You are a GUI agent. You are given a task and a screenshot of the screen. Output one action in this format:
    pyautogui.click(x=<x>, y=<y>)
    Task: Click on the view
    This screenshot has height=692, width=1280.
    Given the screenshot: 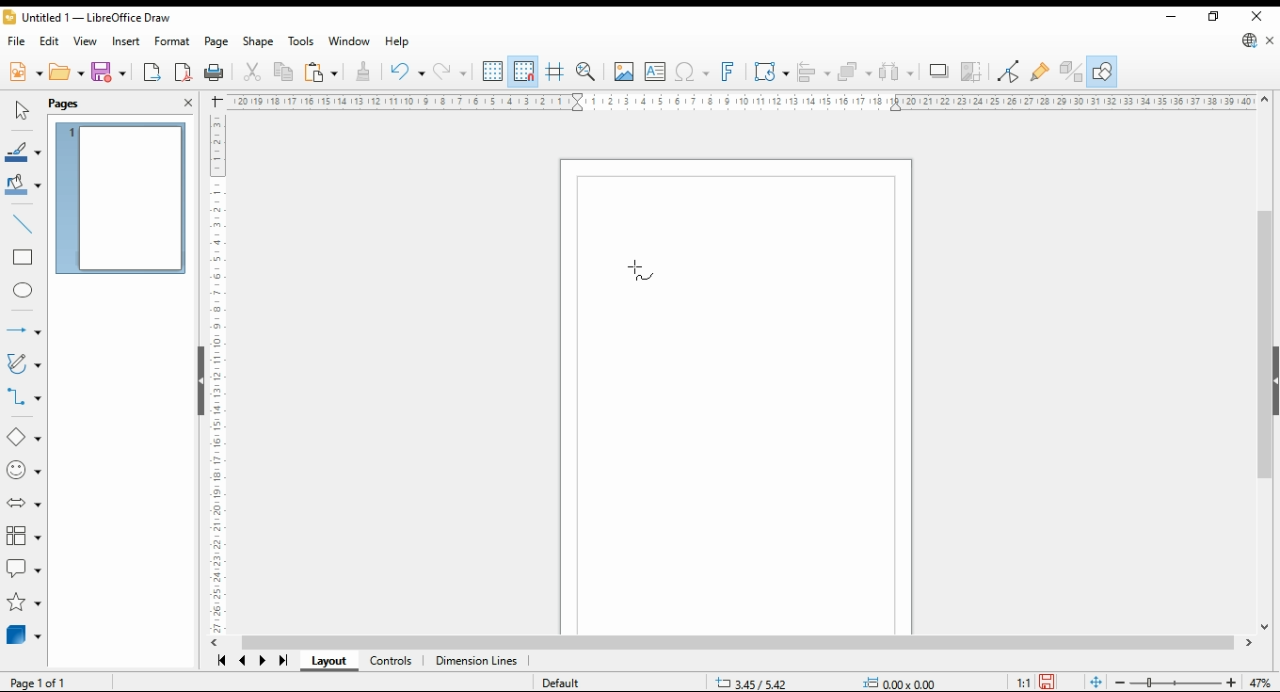 What is the action you would take?
    pyautogui.click(x=84, y=40)
    